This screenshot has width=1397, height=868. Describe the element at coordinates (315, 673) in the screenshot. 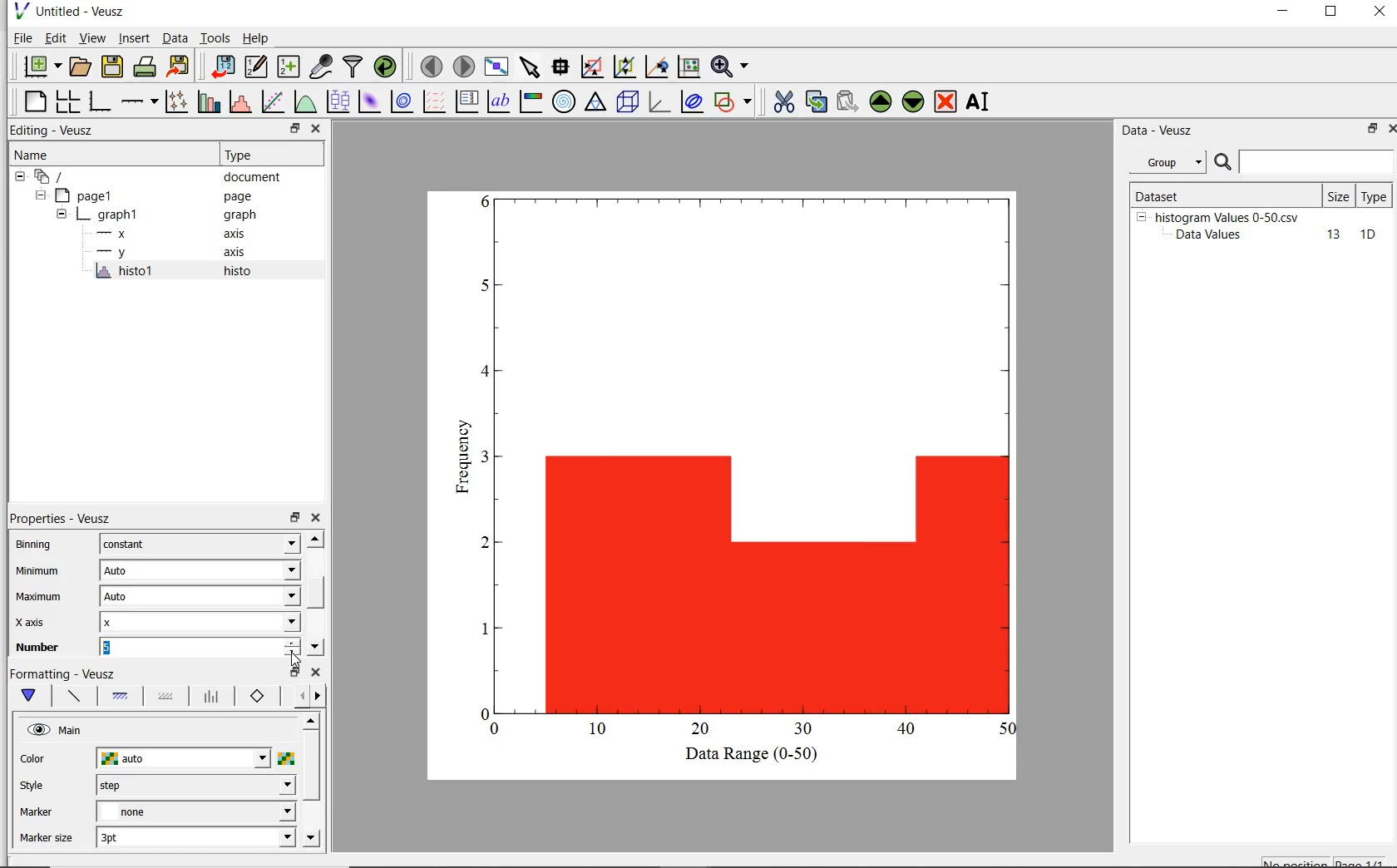

I see `close` at that location.